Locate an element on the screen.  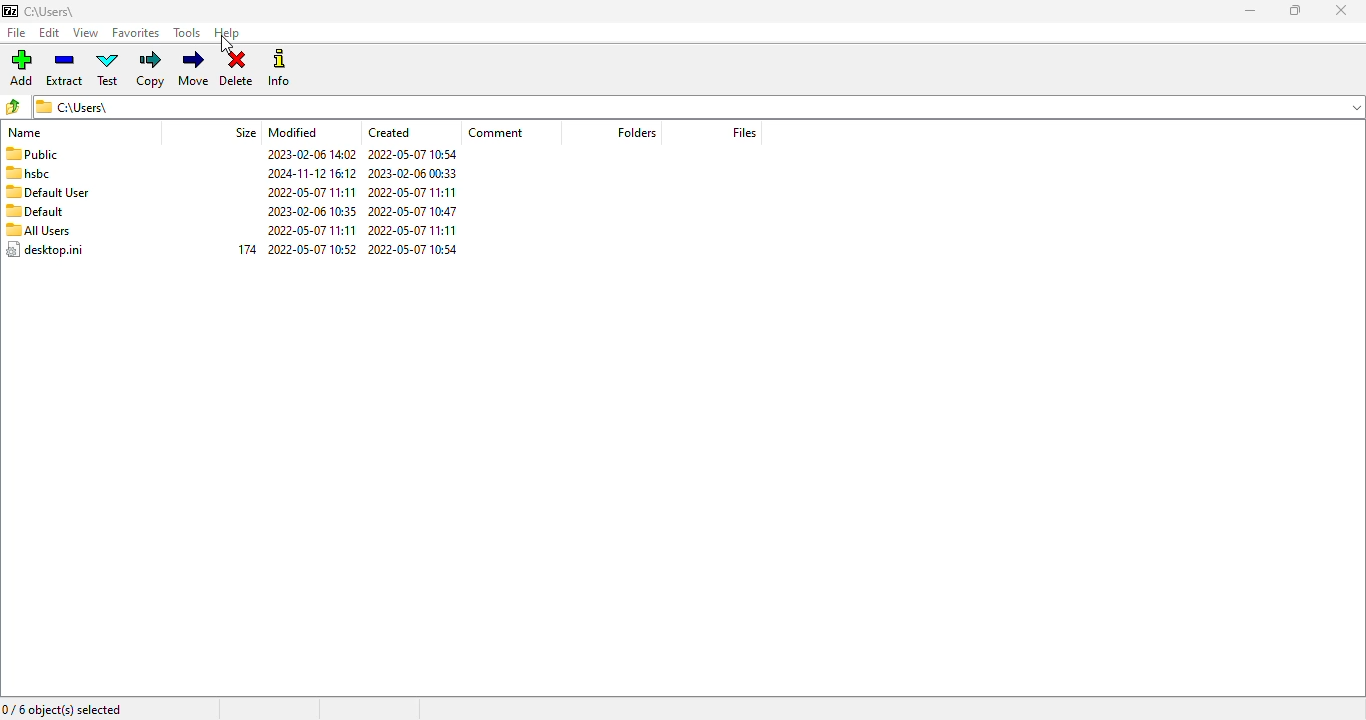
created is located at coordinates (389, 132).